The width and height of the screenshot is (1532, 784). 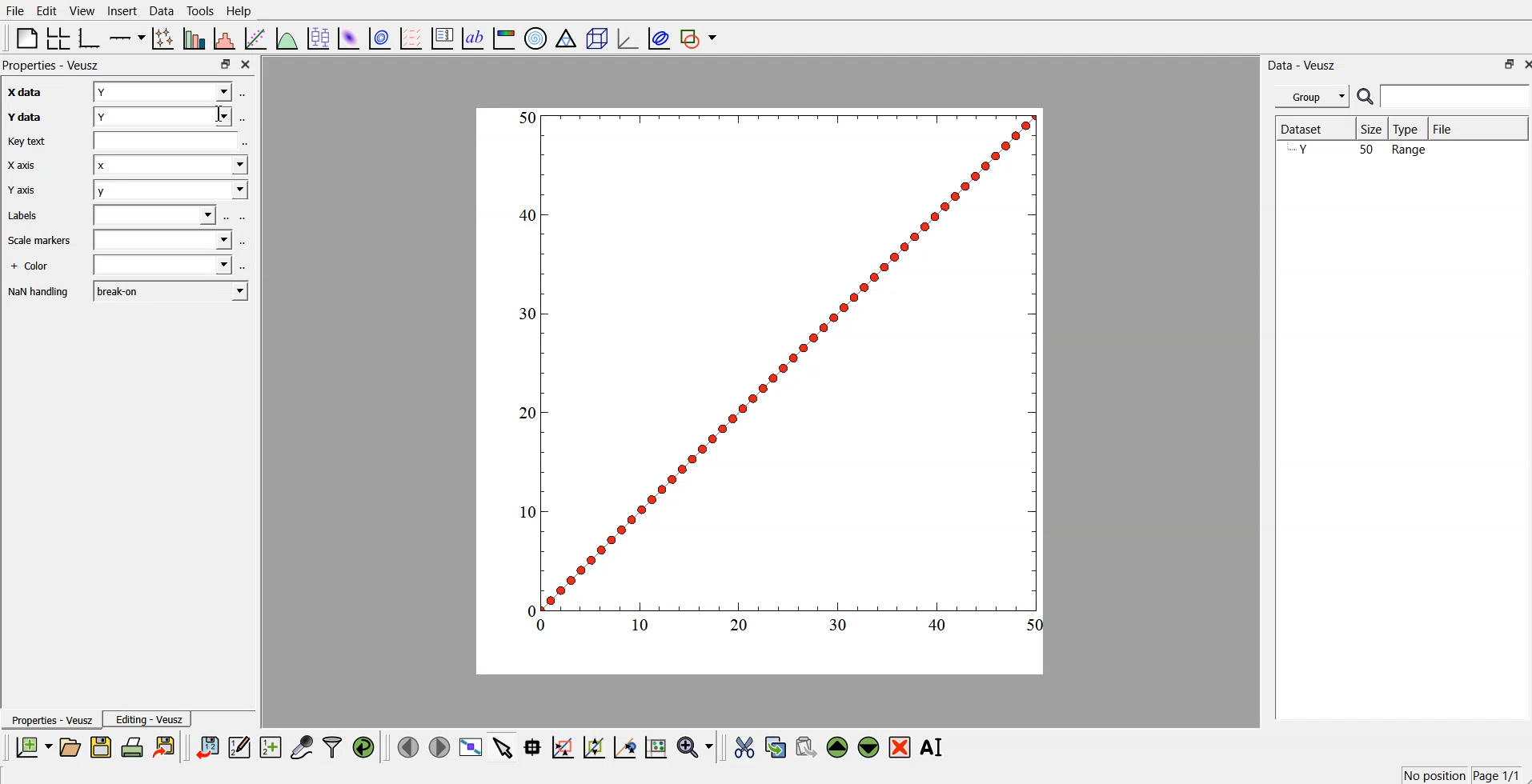 I want to click on Data, so click(x=162, y=11).